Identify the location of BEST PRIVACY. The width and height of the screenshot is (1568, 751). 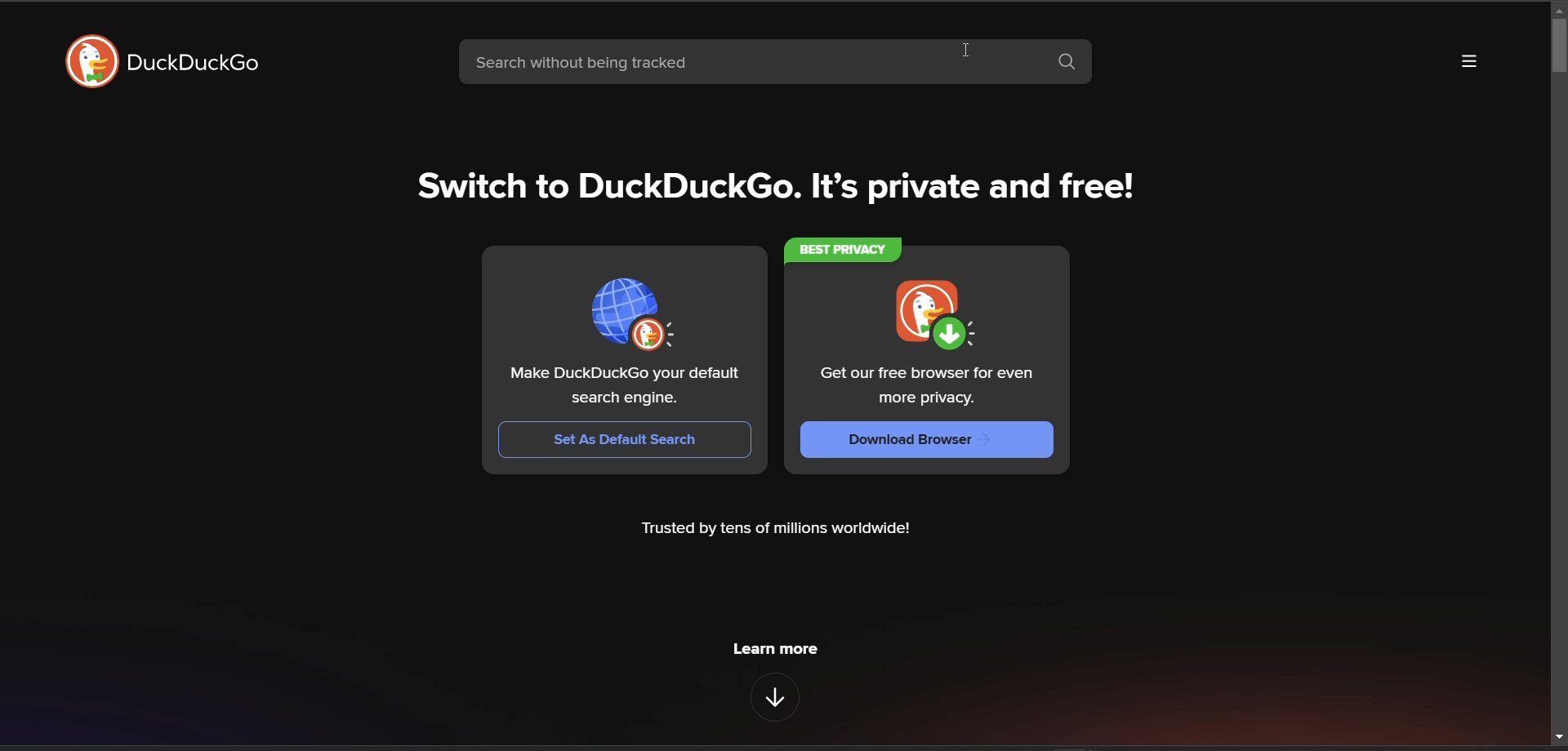
(843, 251).